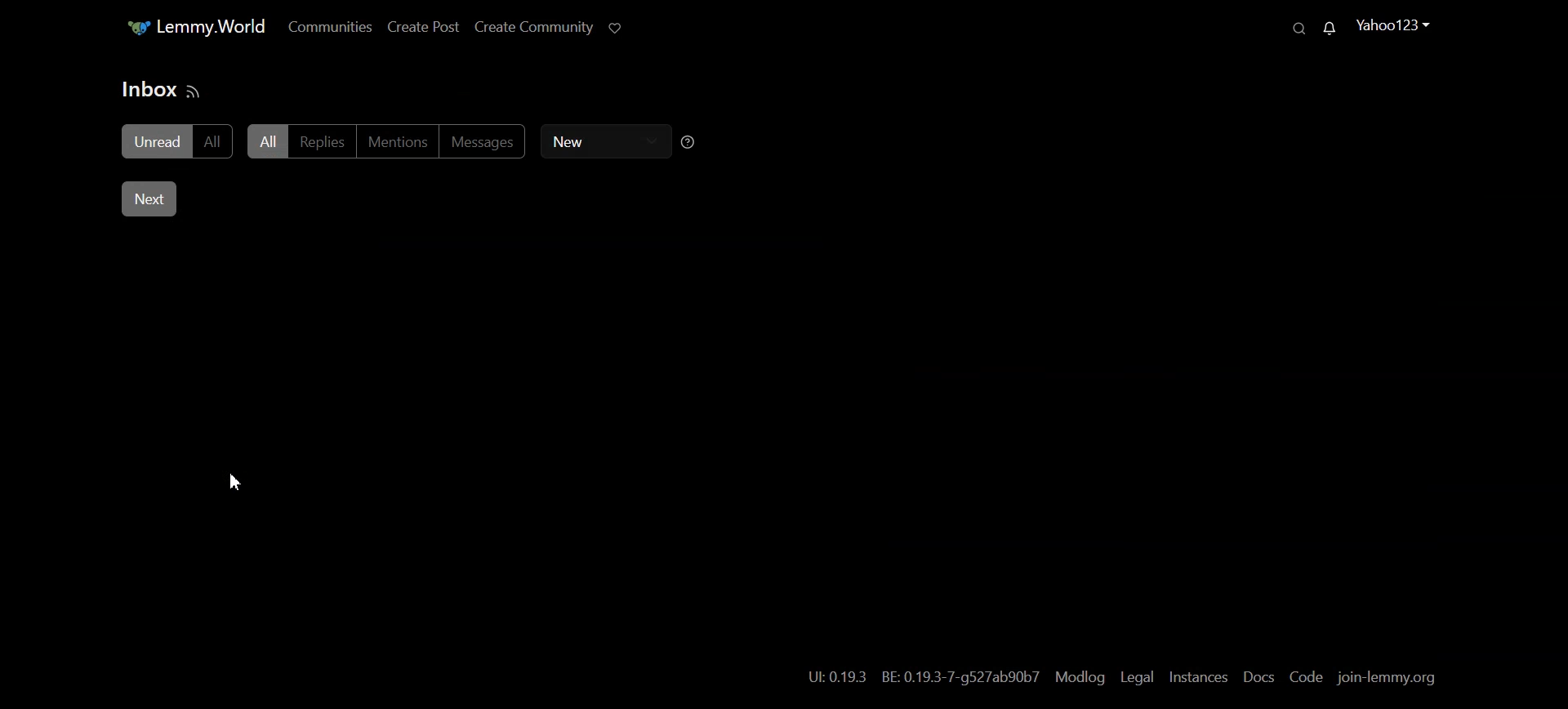  I want to click on Modlog, so click(1080, 677).